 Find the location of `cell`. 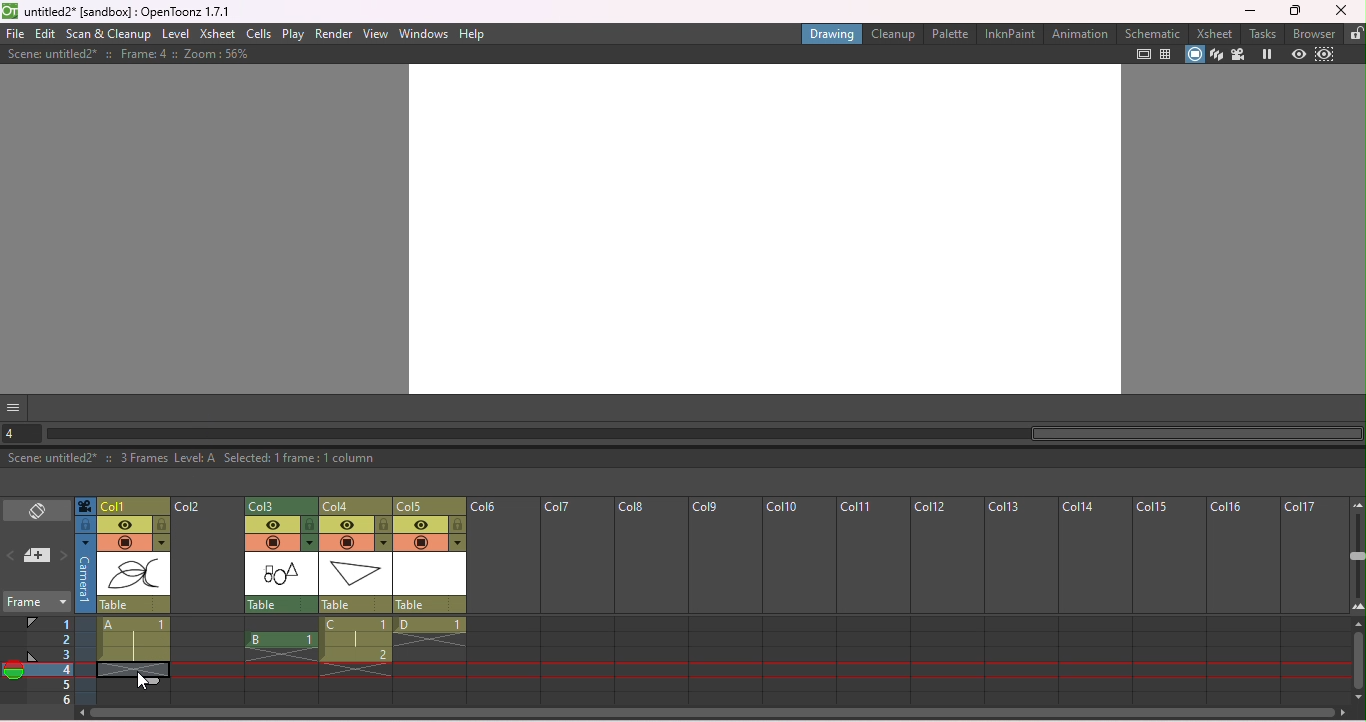

cell is located at coordinates (130, 669).